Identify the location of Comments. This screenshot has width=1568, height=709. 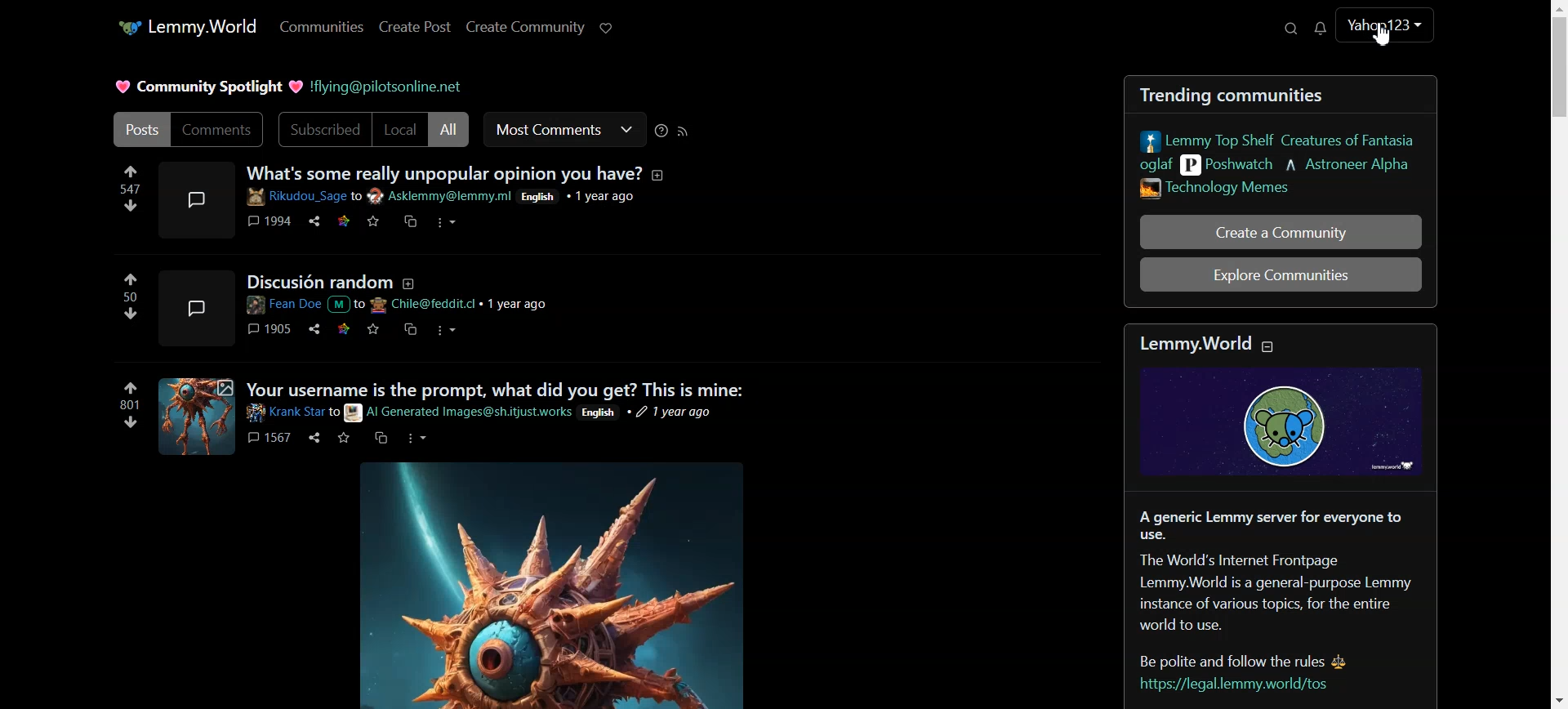
(219, 130).